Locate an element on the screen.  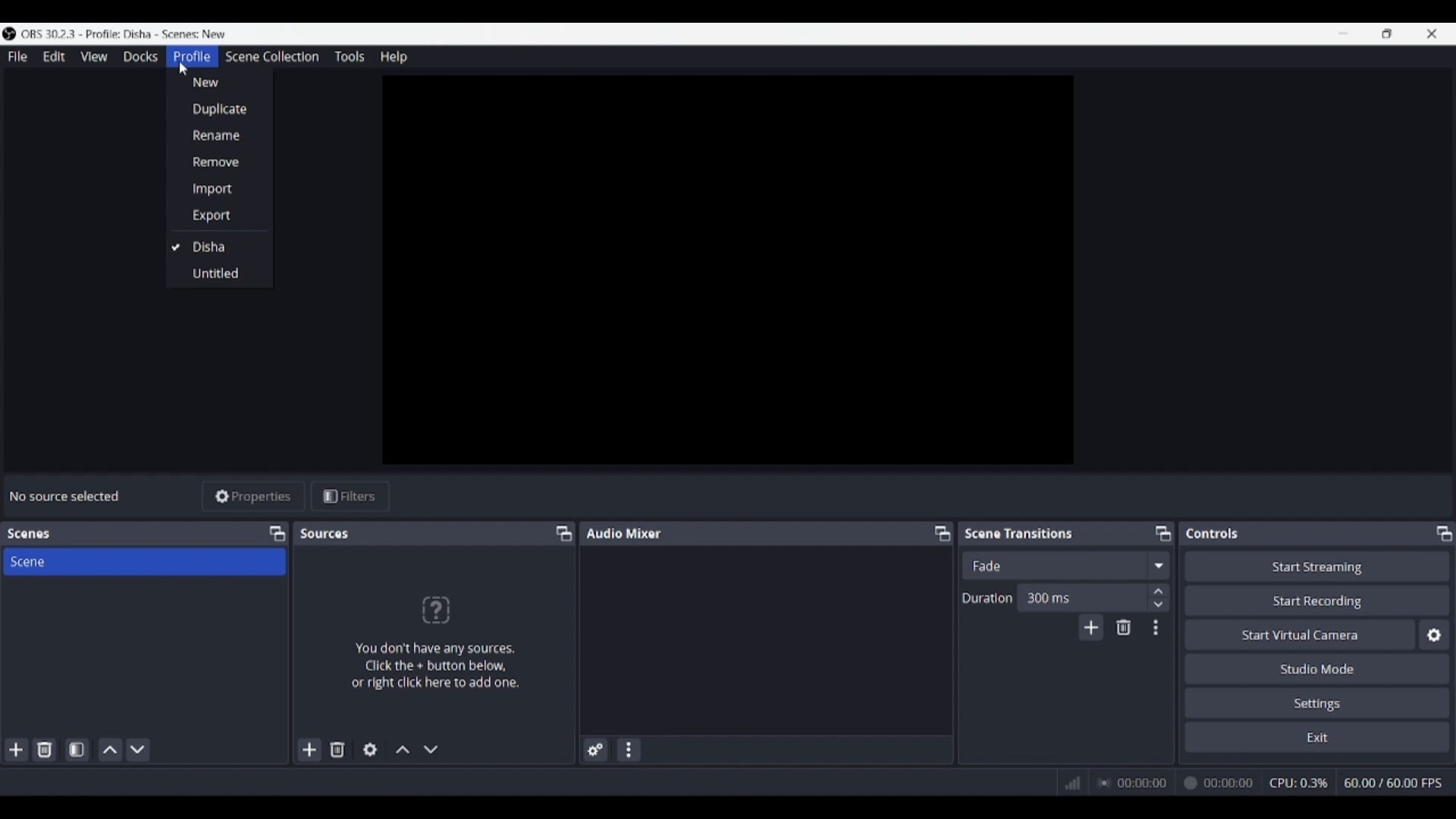
Panel title is located at coordinates (326, 533).